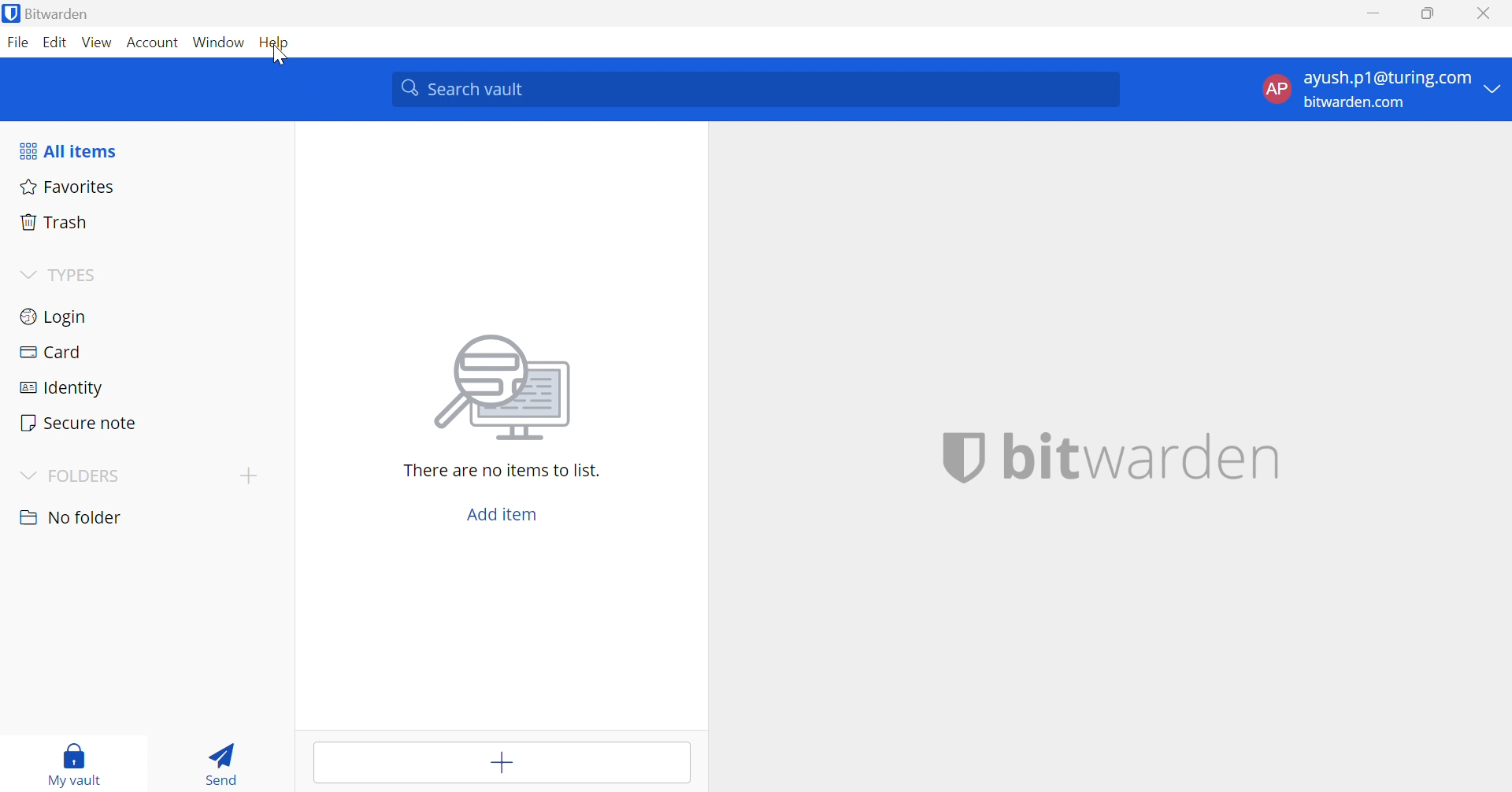 This screenshot has height=792, width=1512. What do you see at coordinates (87, 477) in the screenshot?
I see `FOLDERS` at bounding box center [87, 477].